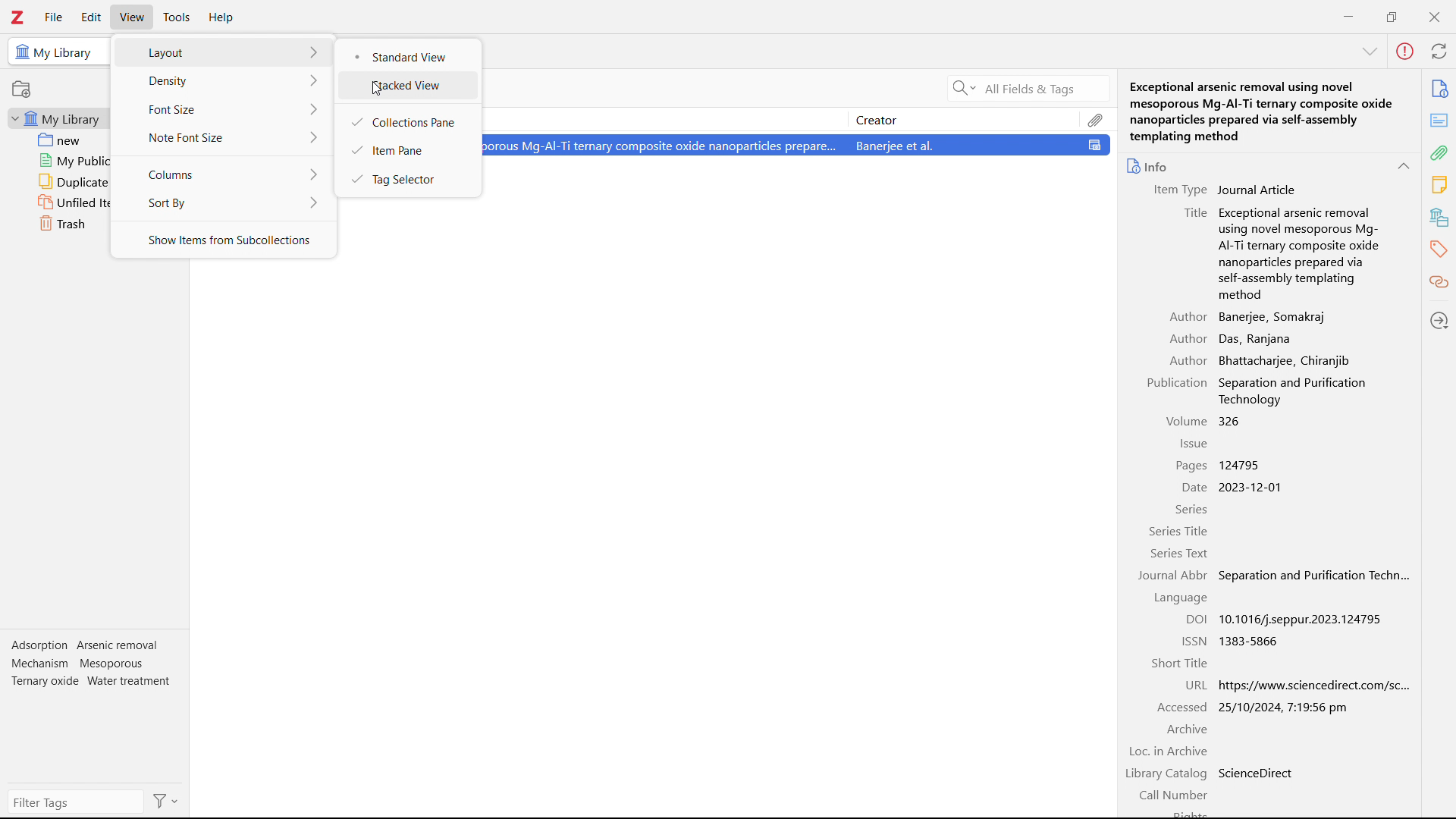  I want to click on tags, so click(1439, 249).